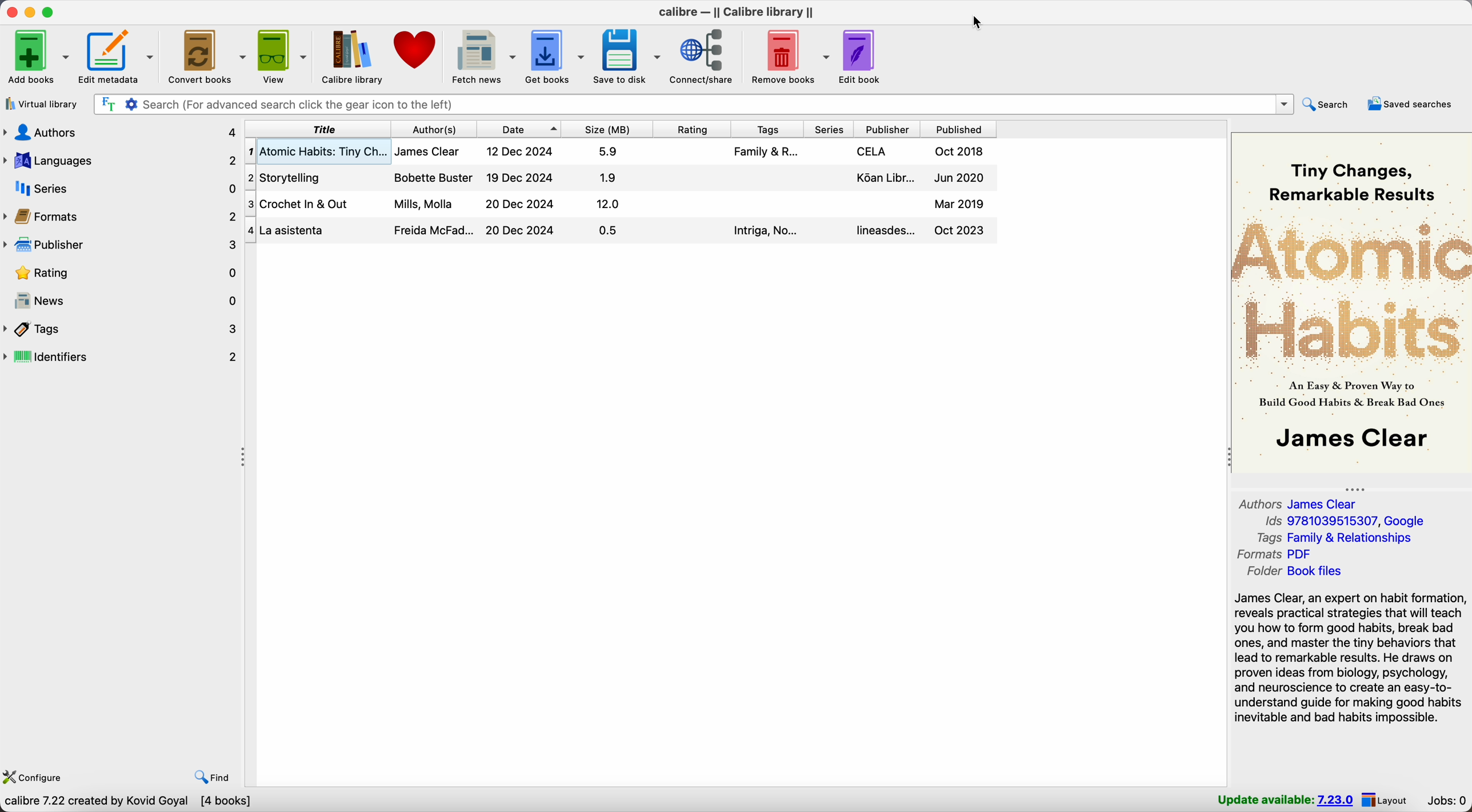 The image size is (1472, 812). I want to click on tags, so click(122, 330).